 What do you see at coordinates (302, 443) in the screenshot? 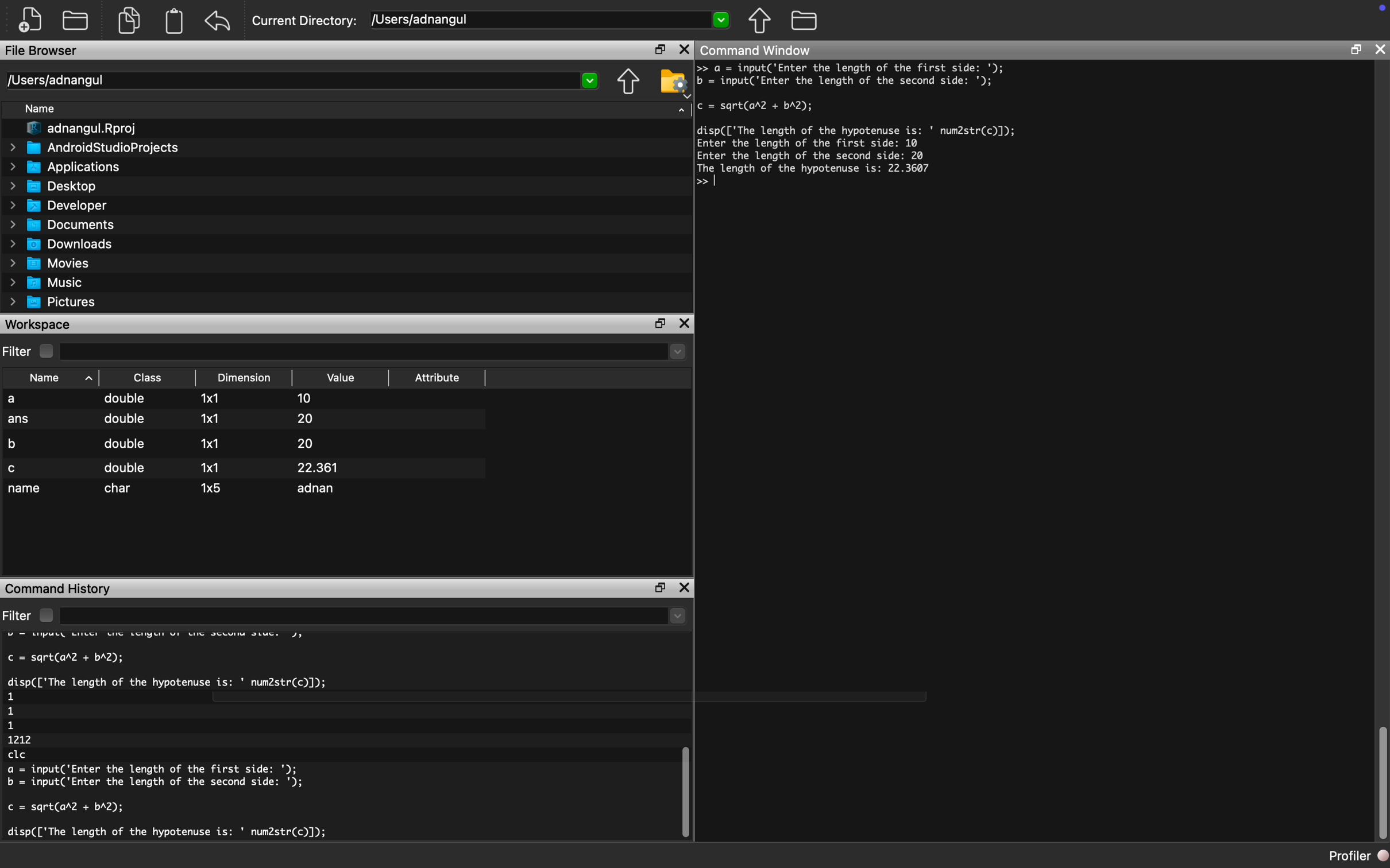
I see `20` at bounding box center [302, 443].